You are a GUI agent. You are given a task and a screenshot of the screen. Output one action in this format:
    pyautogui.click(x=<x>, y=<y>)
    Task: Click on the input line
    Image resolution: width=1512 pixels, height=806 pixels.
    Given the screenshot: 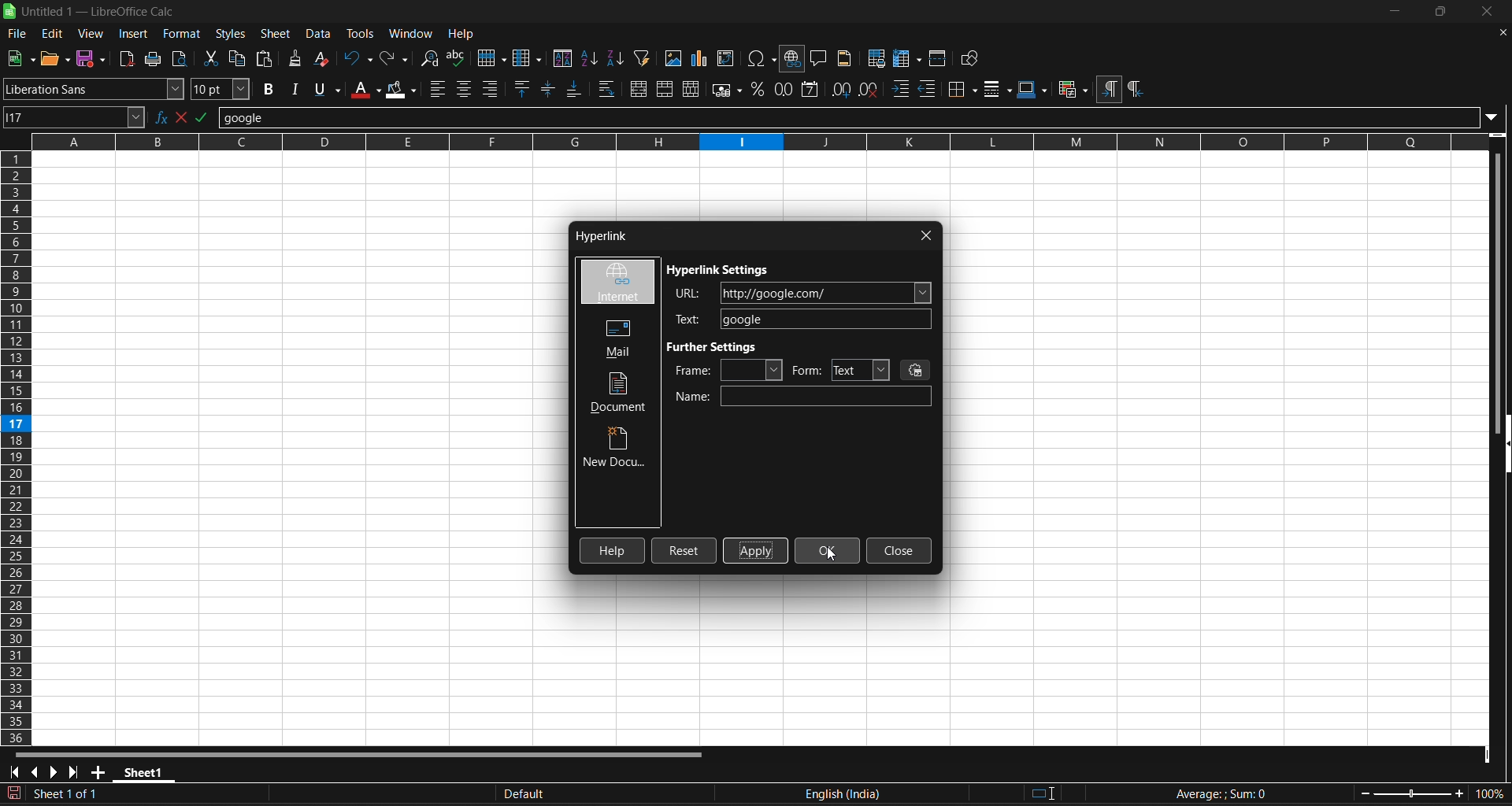 What is the action you would take?
    pyautogui.click(x=860, y=115)
    